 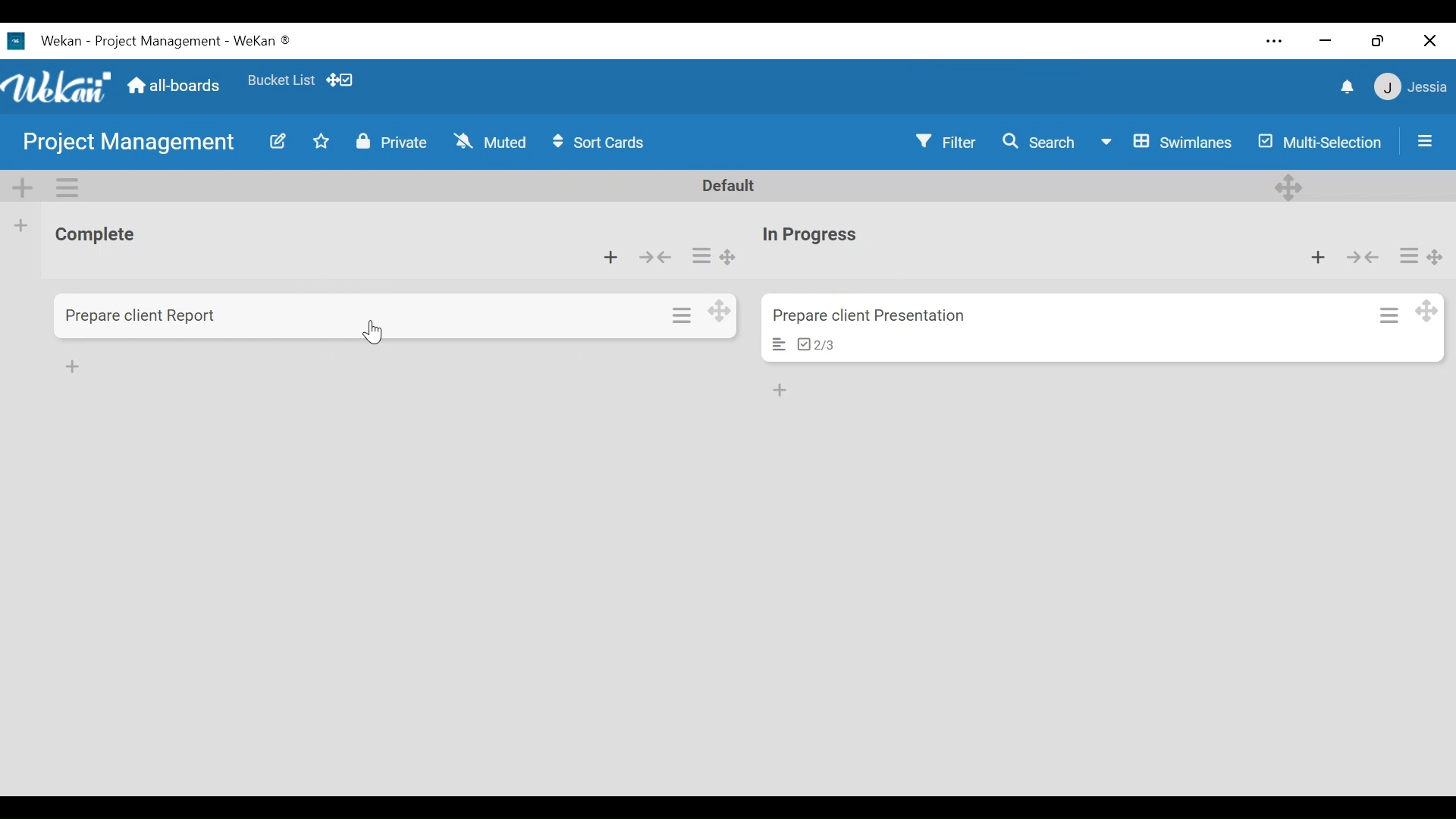 What do you see at coordinates (72, 365) in the screenshot?
I see `Add Card at the bottom of the list` at bounding box center [72, 365].